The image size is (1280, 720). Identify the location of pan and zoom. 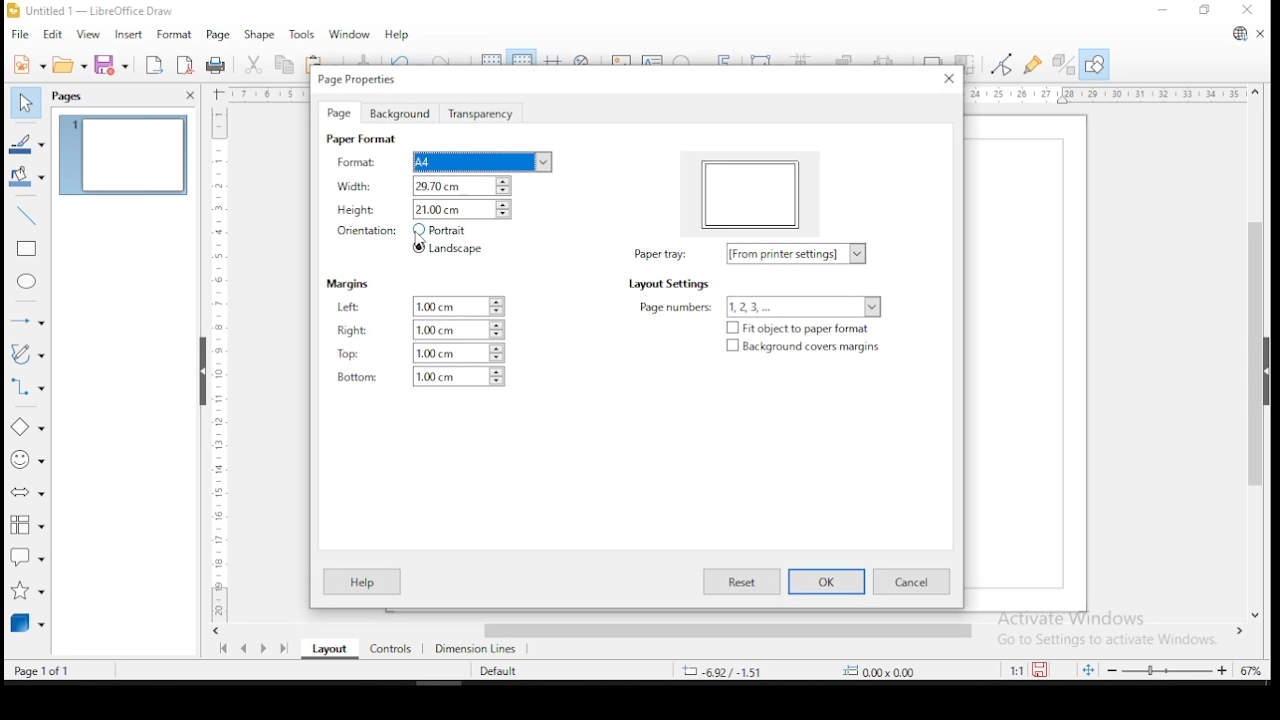
(584, 59).